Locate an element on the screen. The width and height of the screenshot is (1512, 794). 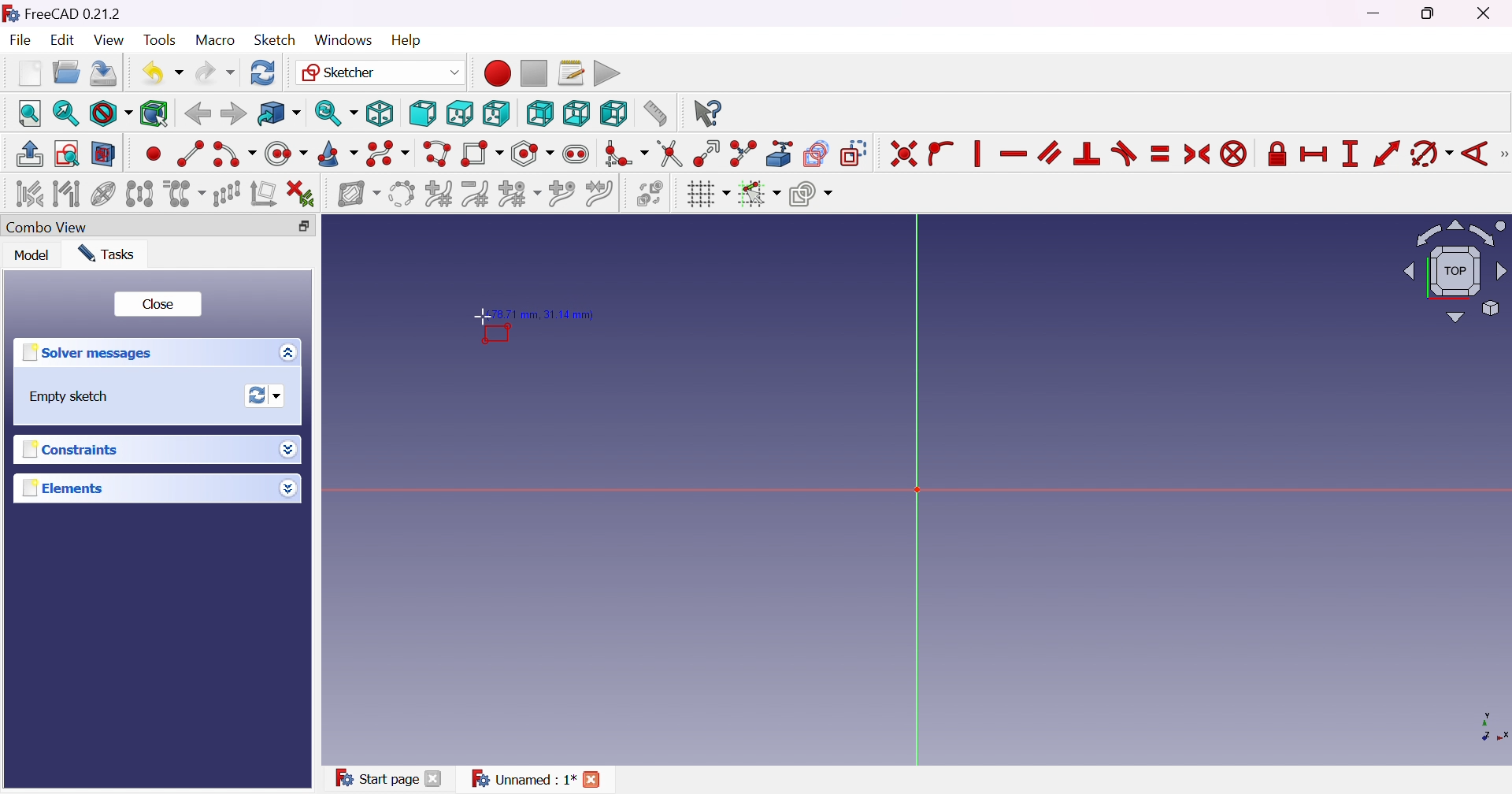
Remove axis alignment is located at coordinates (262, 193).